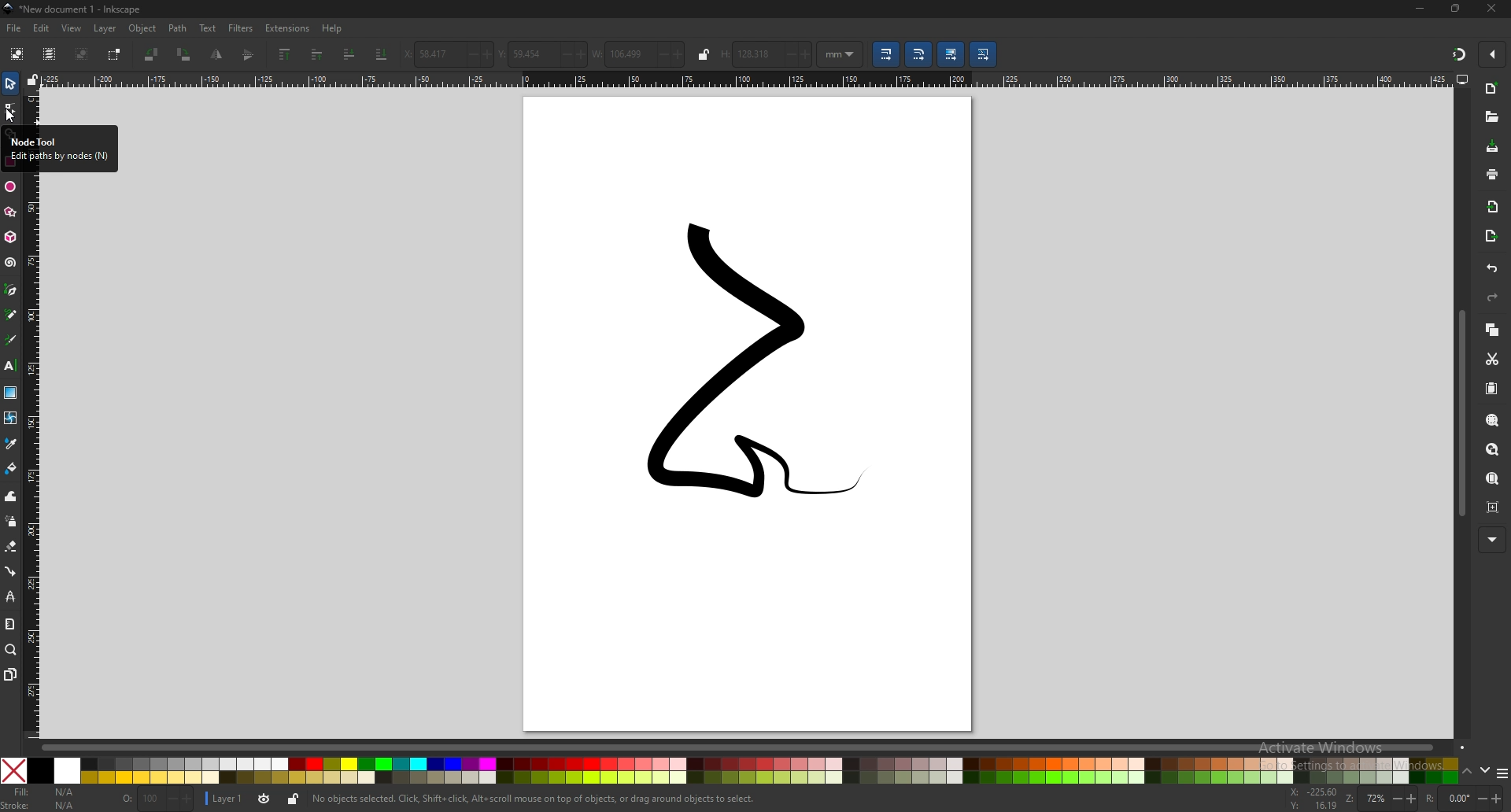 Image resolution: width=1511 pixels, height=812 pixels. I want to click on snapper, so click(1459, 54).